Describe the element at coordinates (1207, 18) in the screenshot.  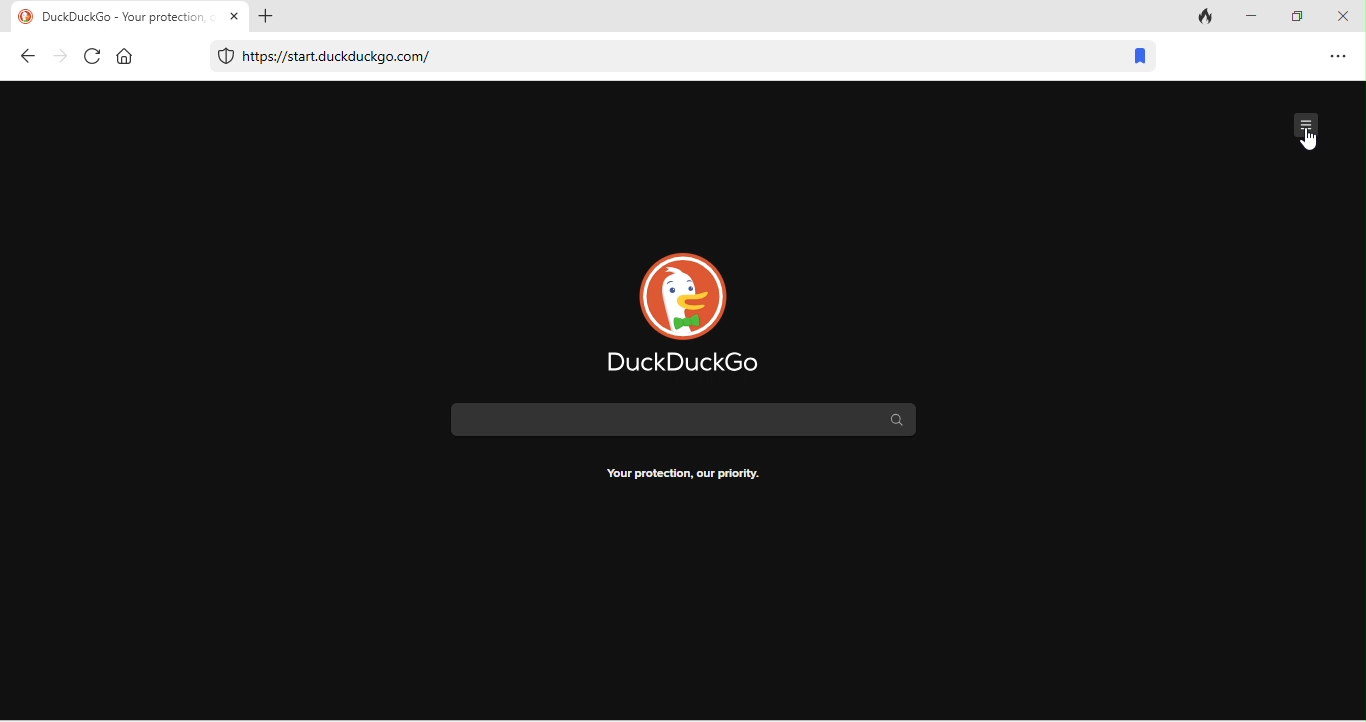
I see `track tab` at that location.